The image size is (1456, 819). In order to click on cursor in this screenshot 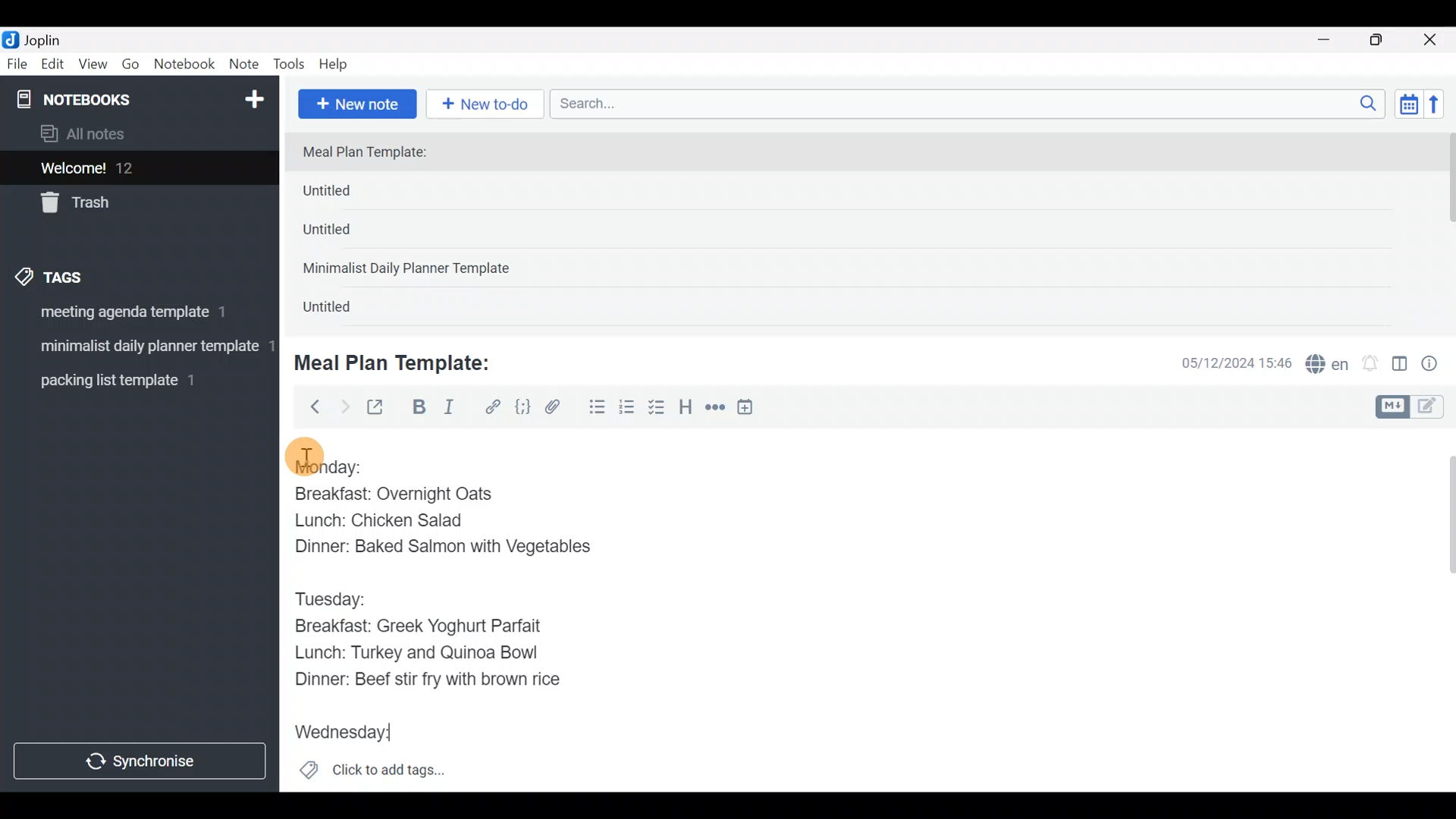, I will do `click(303, 456)`.